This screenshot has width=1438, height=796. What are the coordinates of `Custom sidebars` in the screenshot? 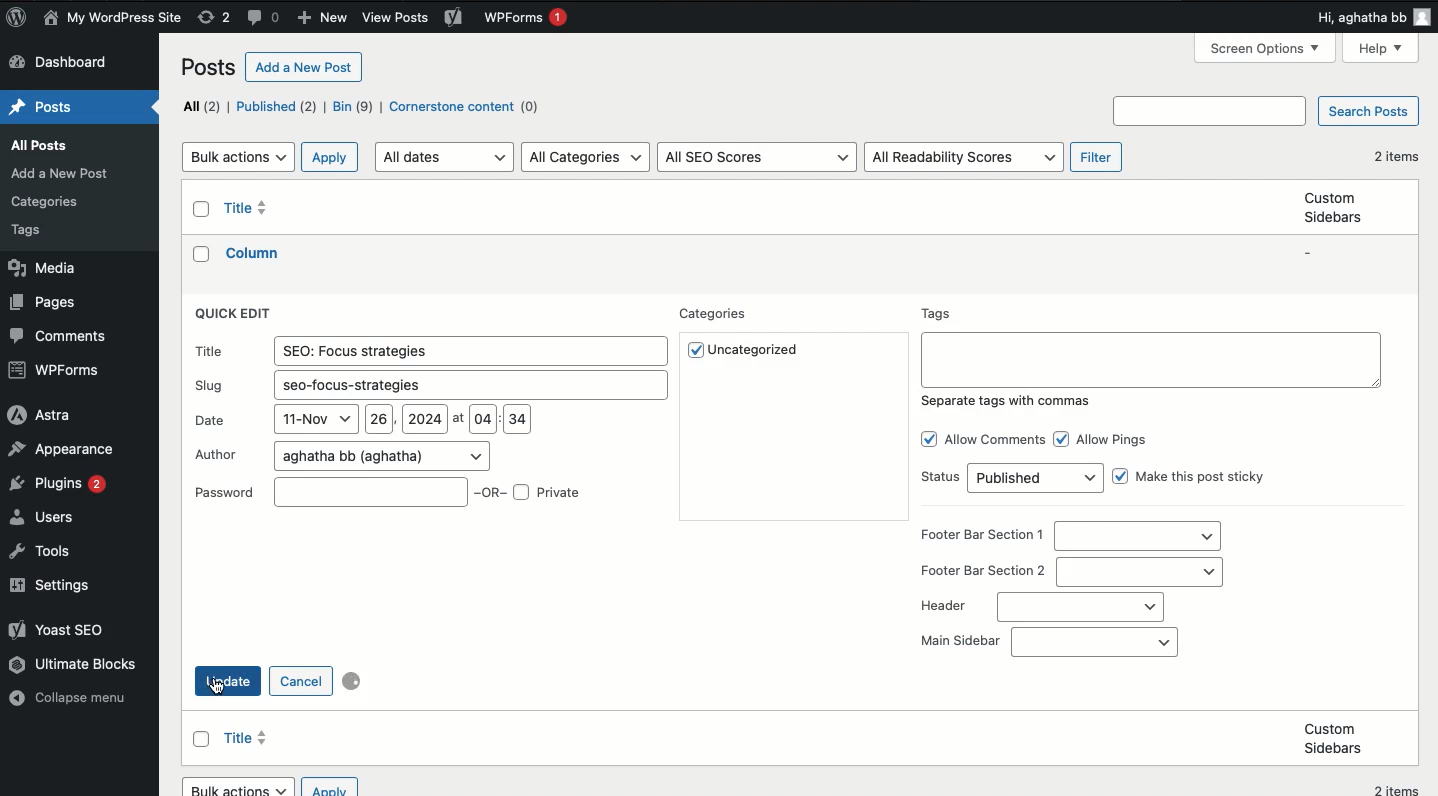 It's located at (1333, 738).